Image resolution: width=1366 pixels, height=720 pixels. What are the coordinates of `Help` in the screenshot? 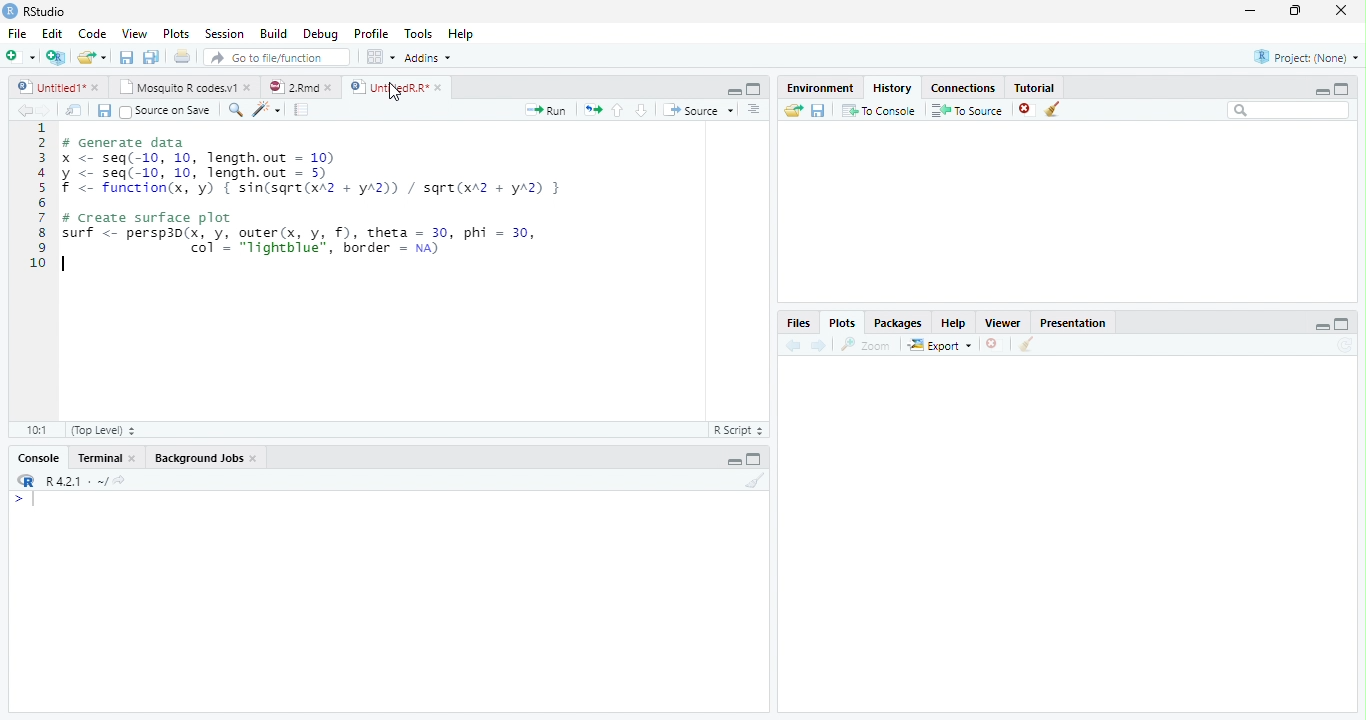 It's located at (954, 322).